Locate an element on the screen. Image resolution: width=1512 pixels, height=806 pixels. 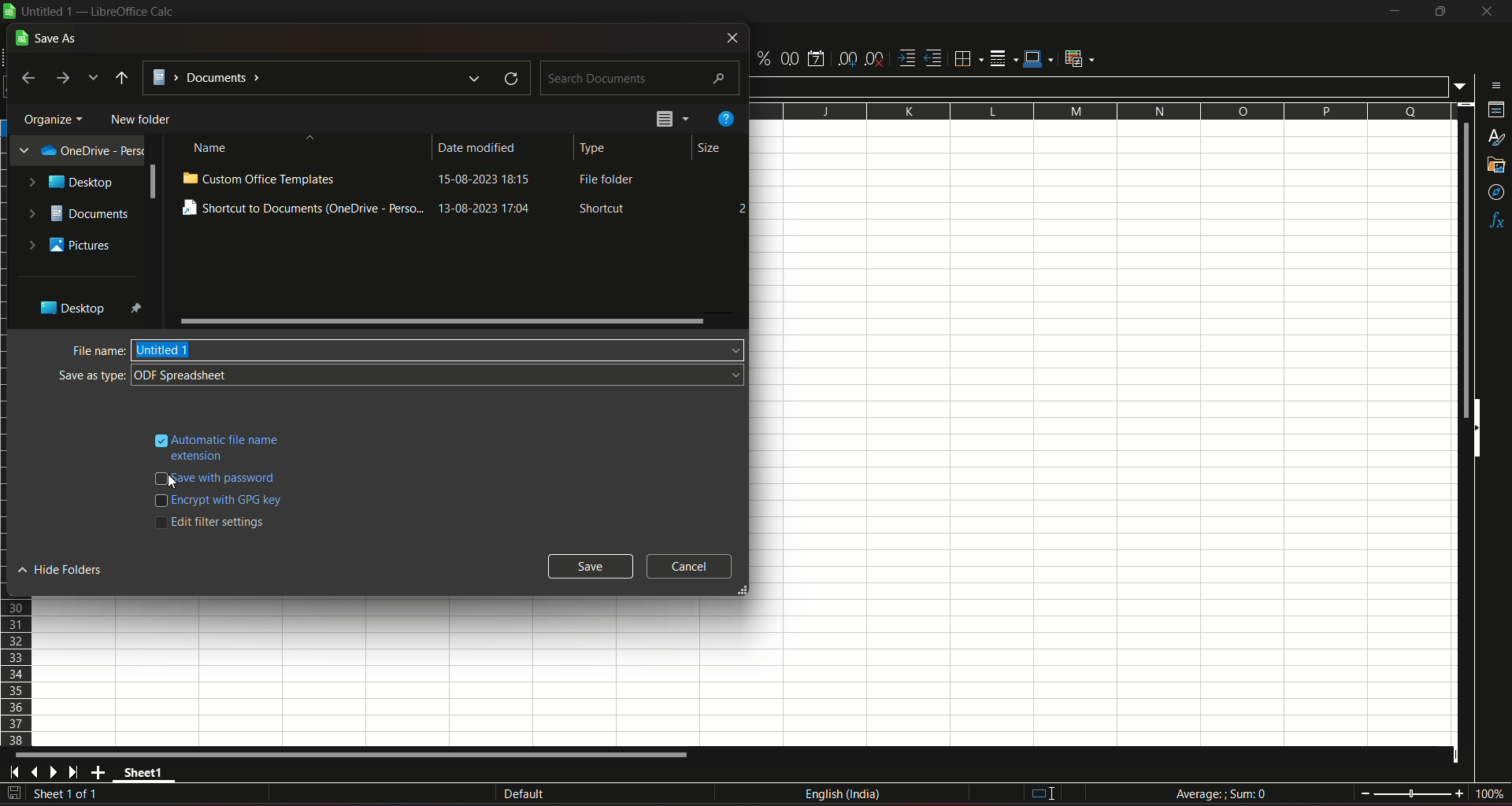
add decimal point is located at coordinates (849, 59).